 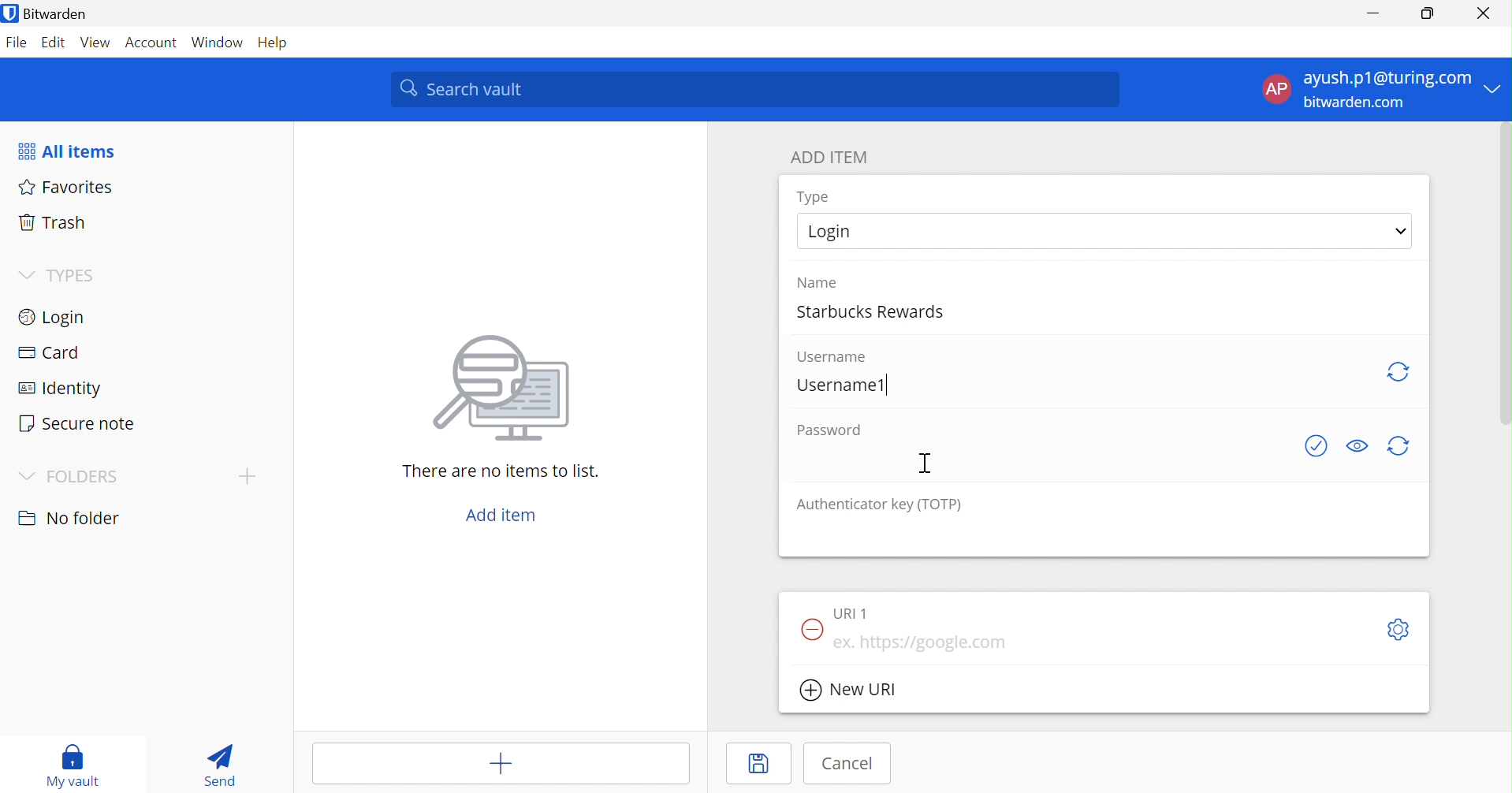 I want to click on bitwarden.com, so click(x=1356, y=103).